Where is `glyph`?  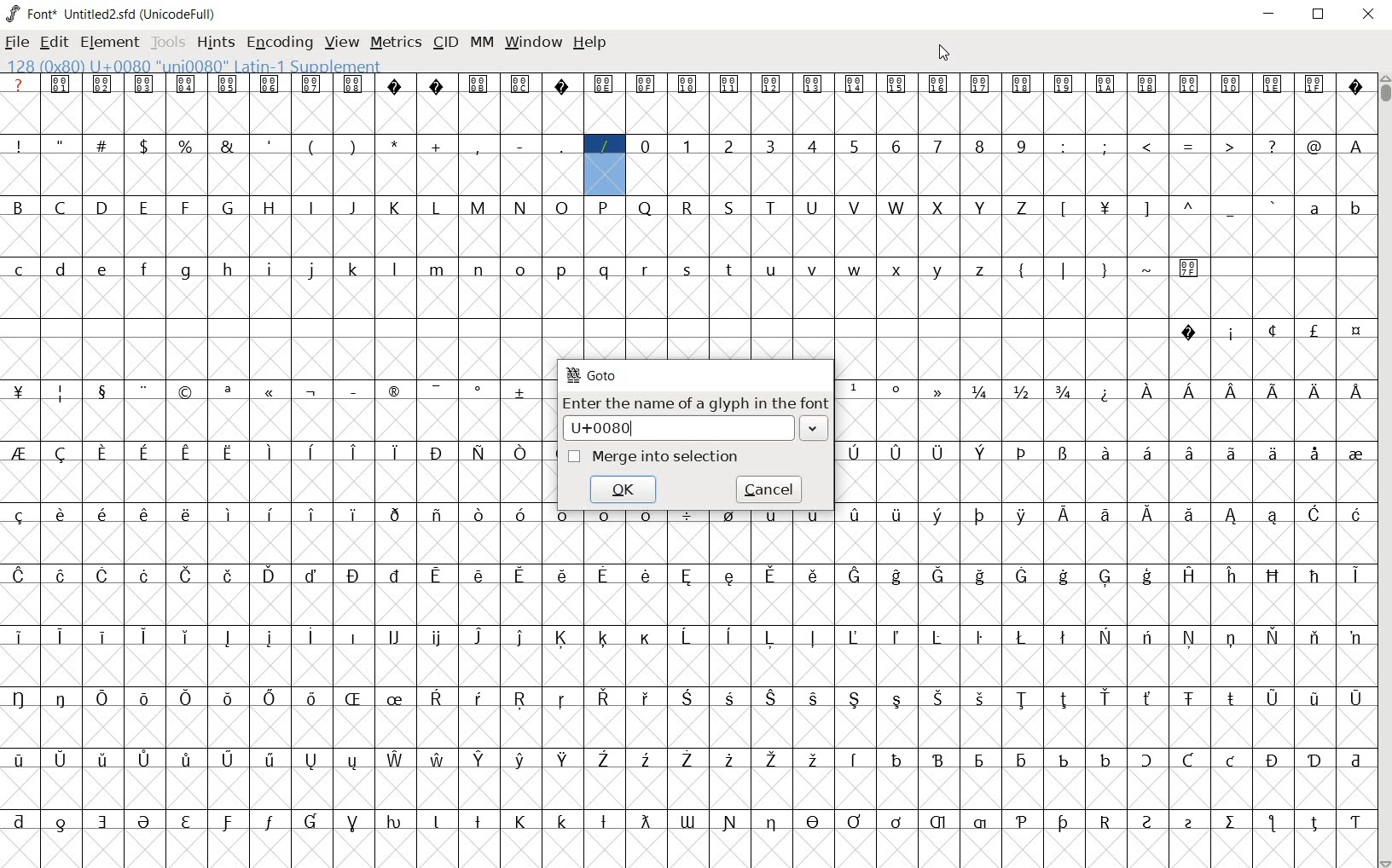
glyph is located at coordinates (354, 452).